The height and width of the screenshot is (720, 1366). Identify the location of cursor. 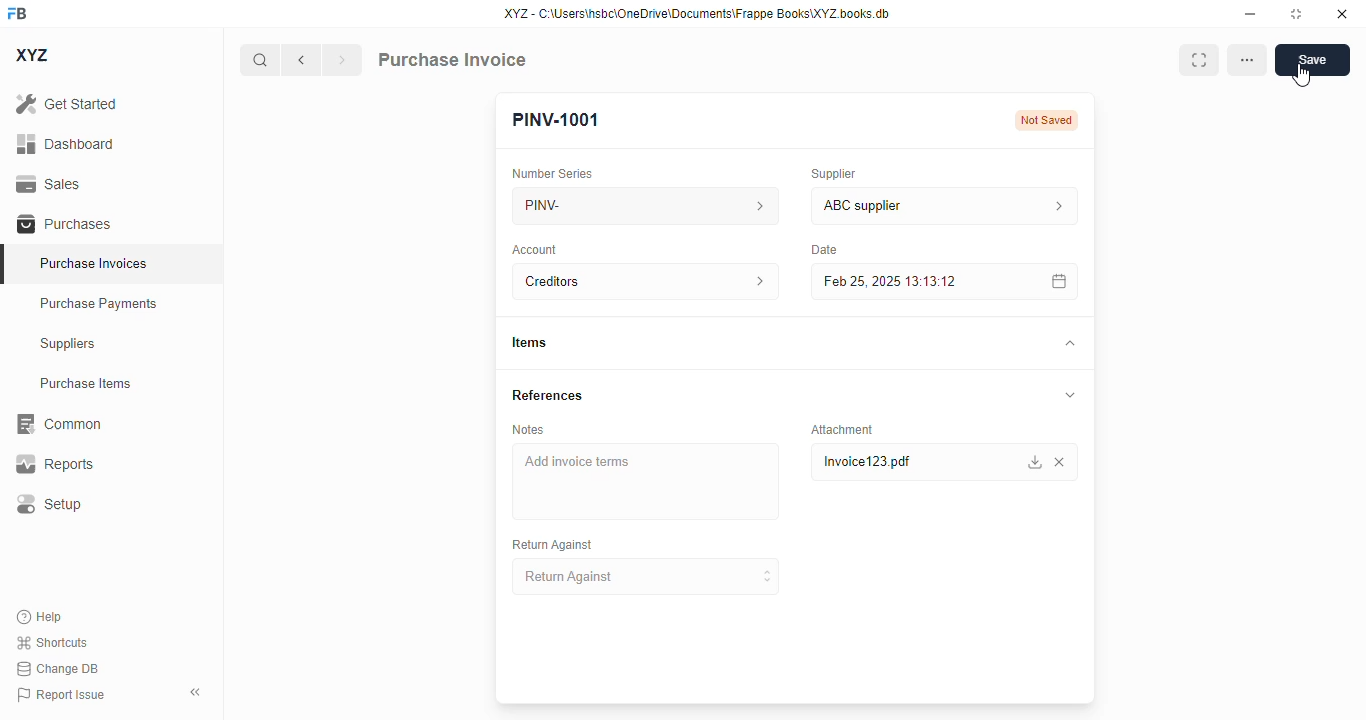
(1301, 76).